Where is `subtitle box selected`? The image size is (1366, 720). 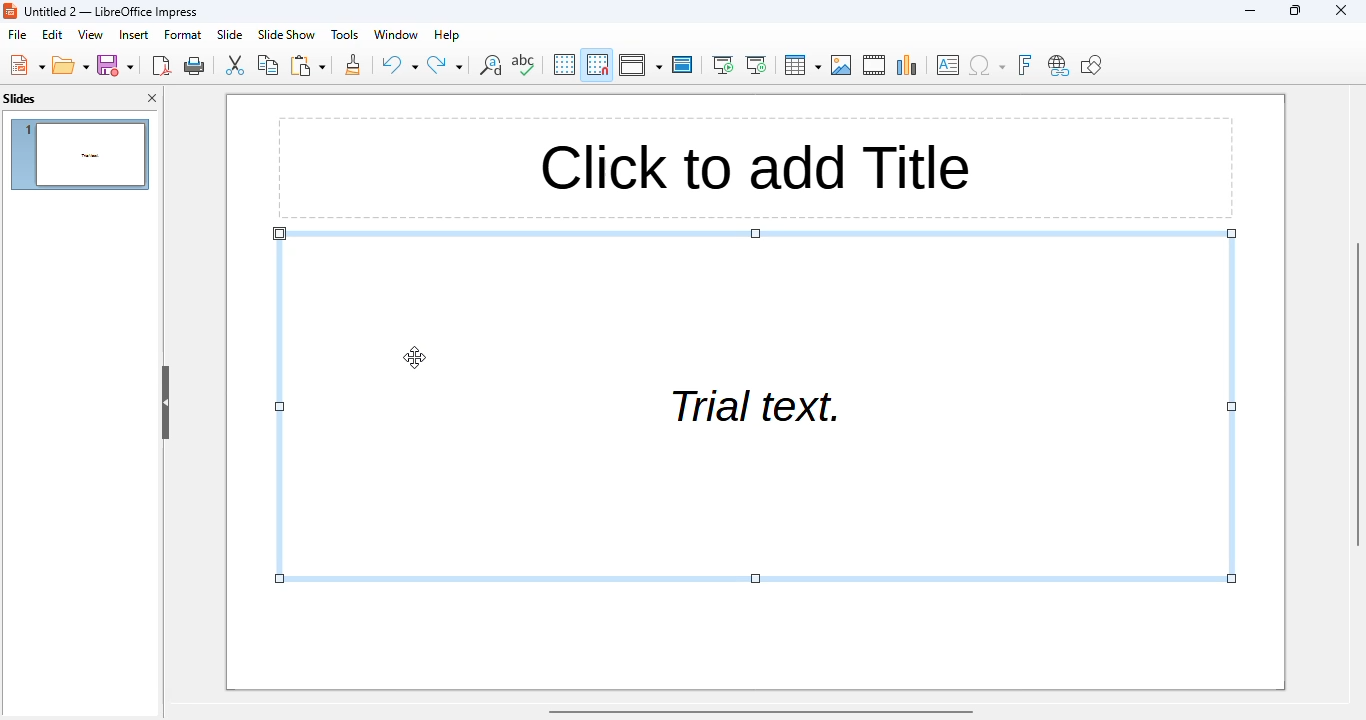
subtitle box selected is located at coordinates (753, 406).